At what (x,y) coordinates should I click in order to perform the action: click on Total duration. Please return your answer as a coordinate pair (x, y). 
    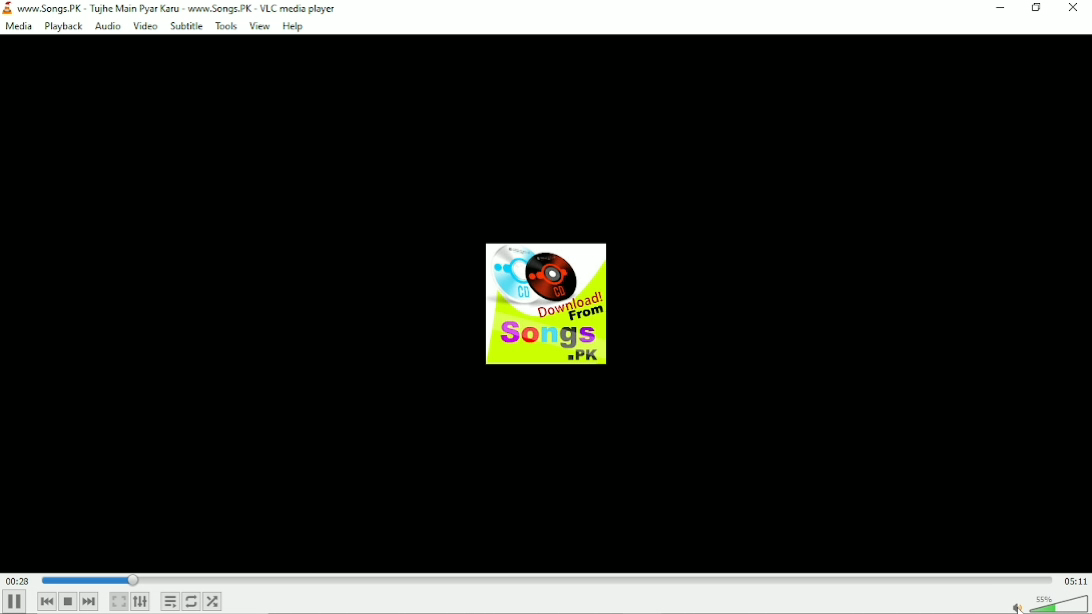
    Looking at the image, I should click on (1075, 581).